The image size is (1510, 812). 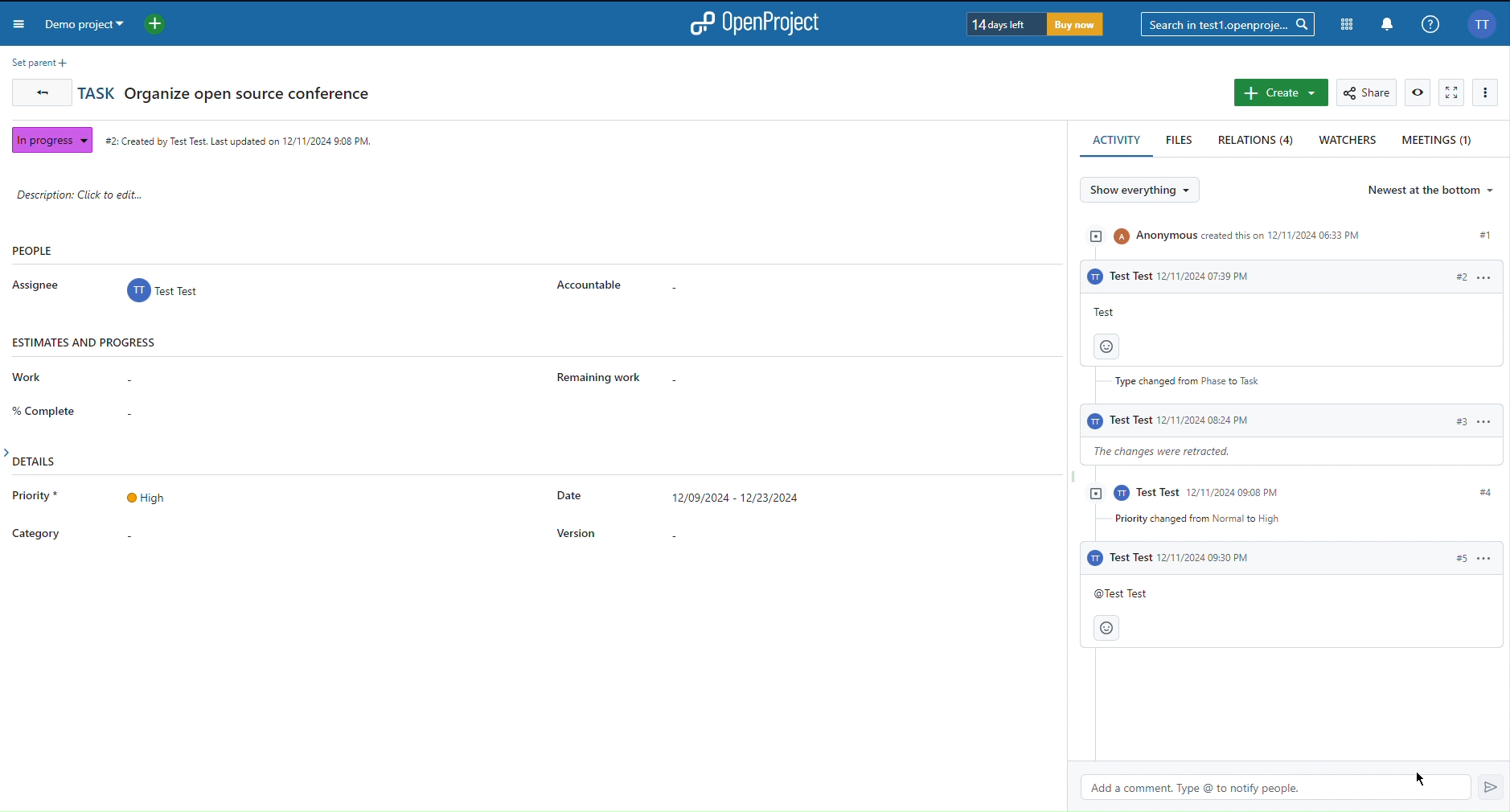 What do you see at coordinates (1288, 720) in the screenshot?
I see `Add a comment` at bounding box center [1288, 720].